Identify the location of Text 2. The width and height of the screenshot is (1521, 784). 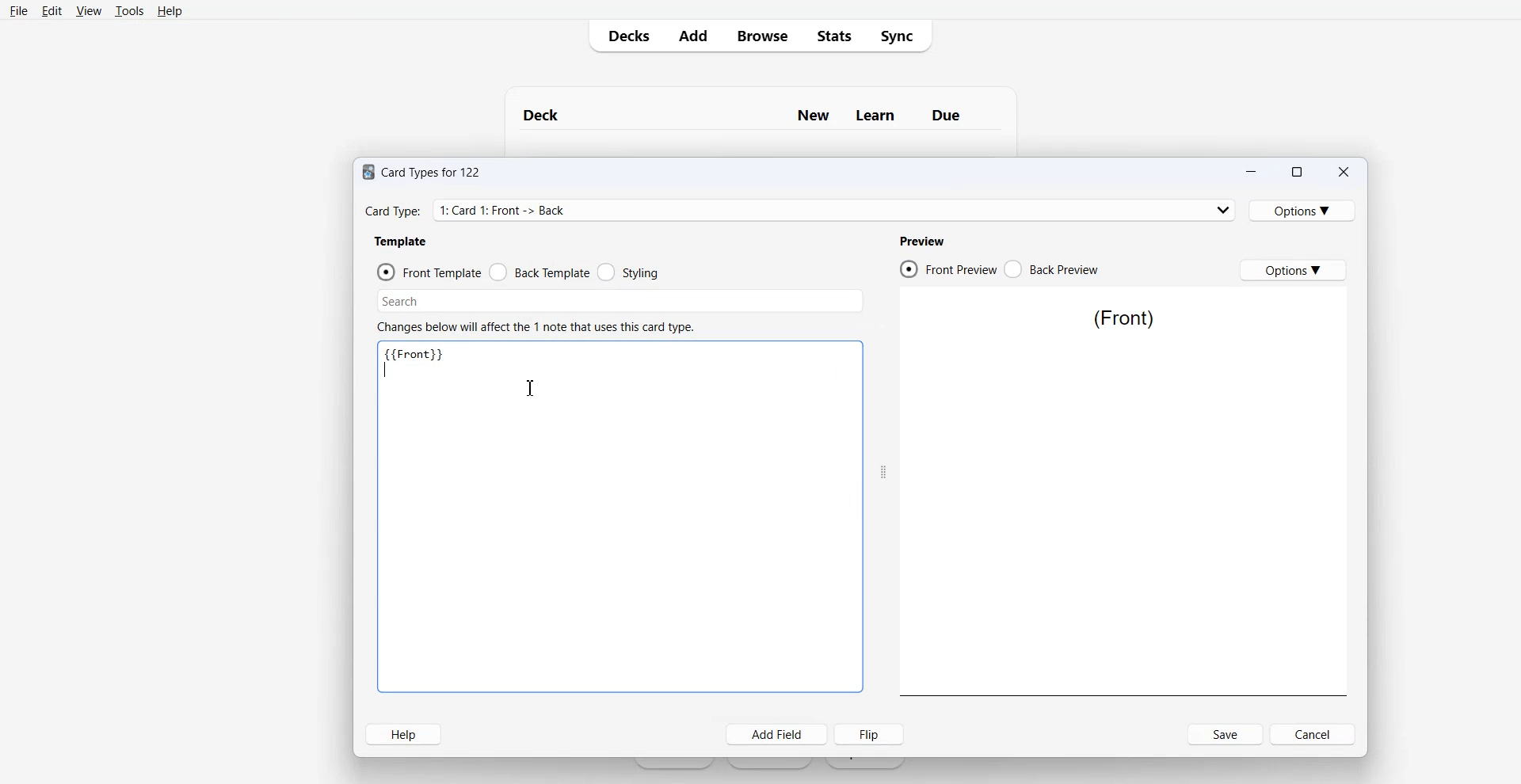
(421, 362).